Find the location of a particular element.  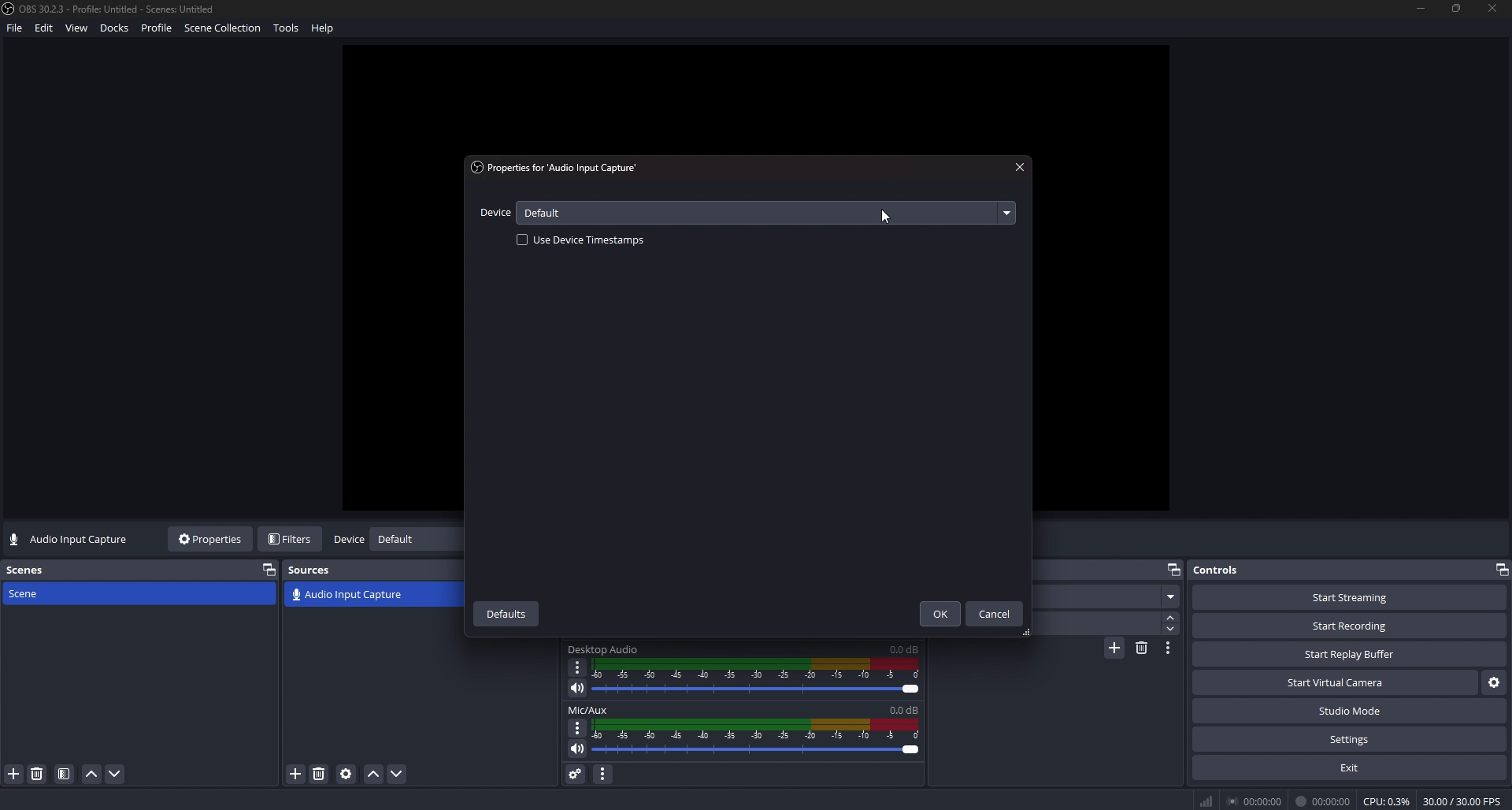

controls is located at coordinates (1231, 570).